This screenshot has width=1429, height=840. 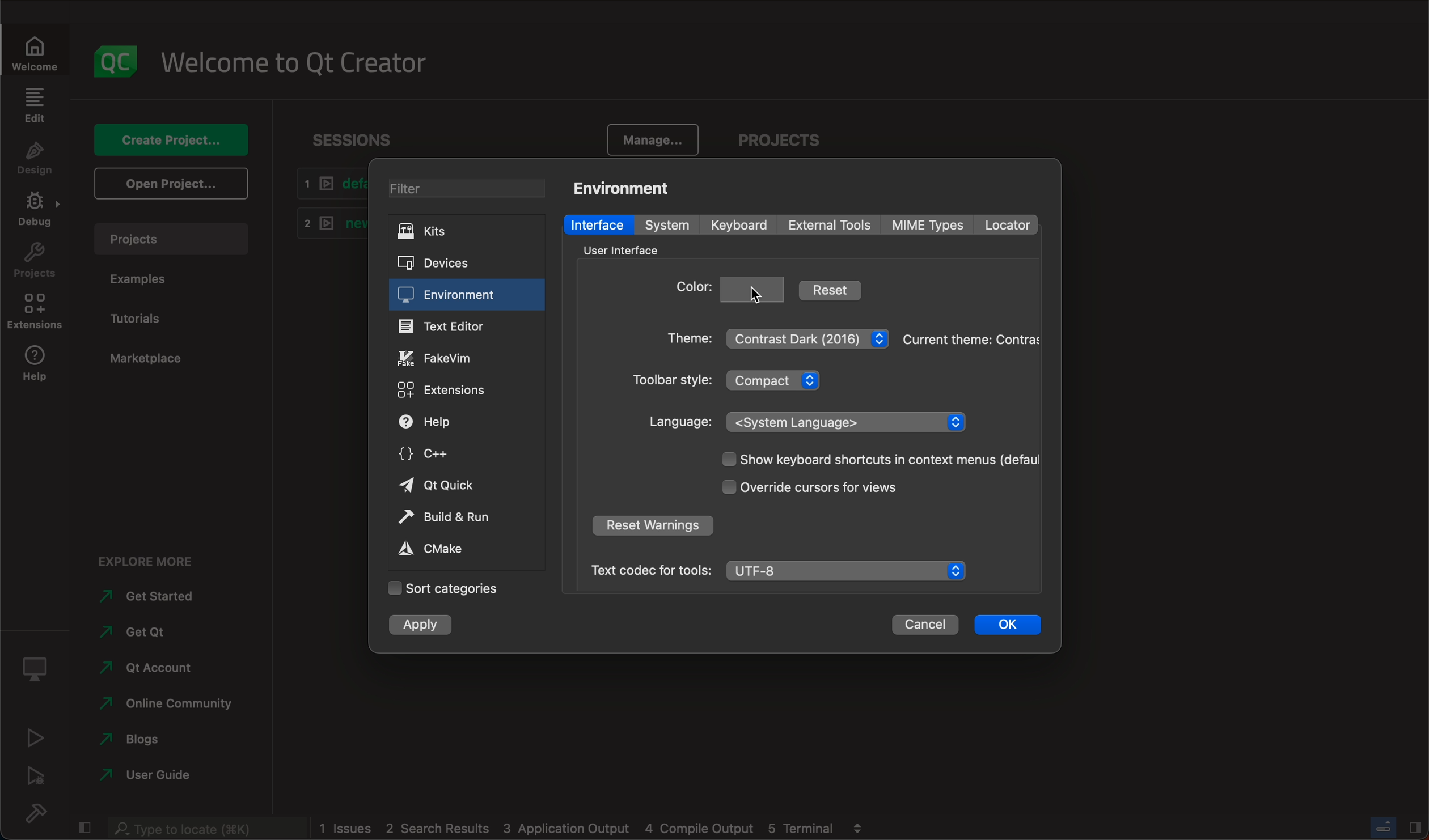 I want to click on devices, so click(x=455, y=261).